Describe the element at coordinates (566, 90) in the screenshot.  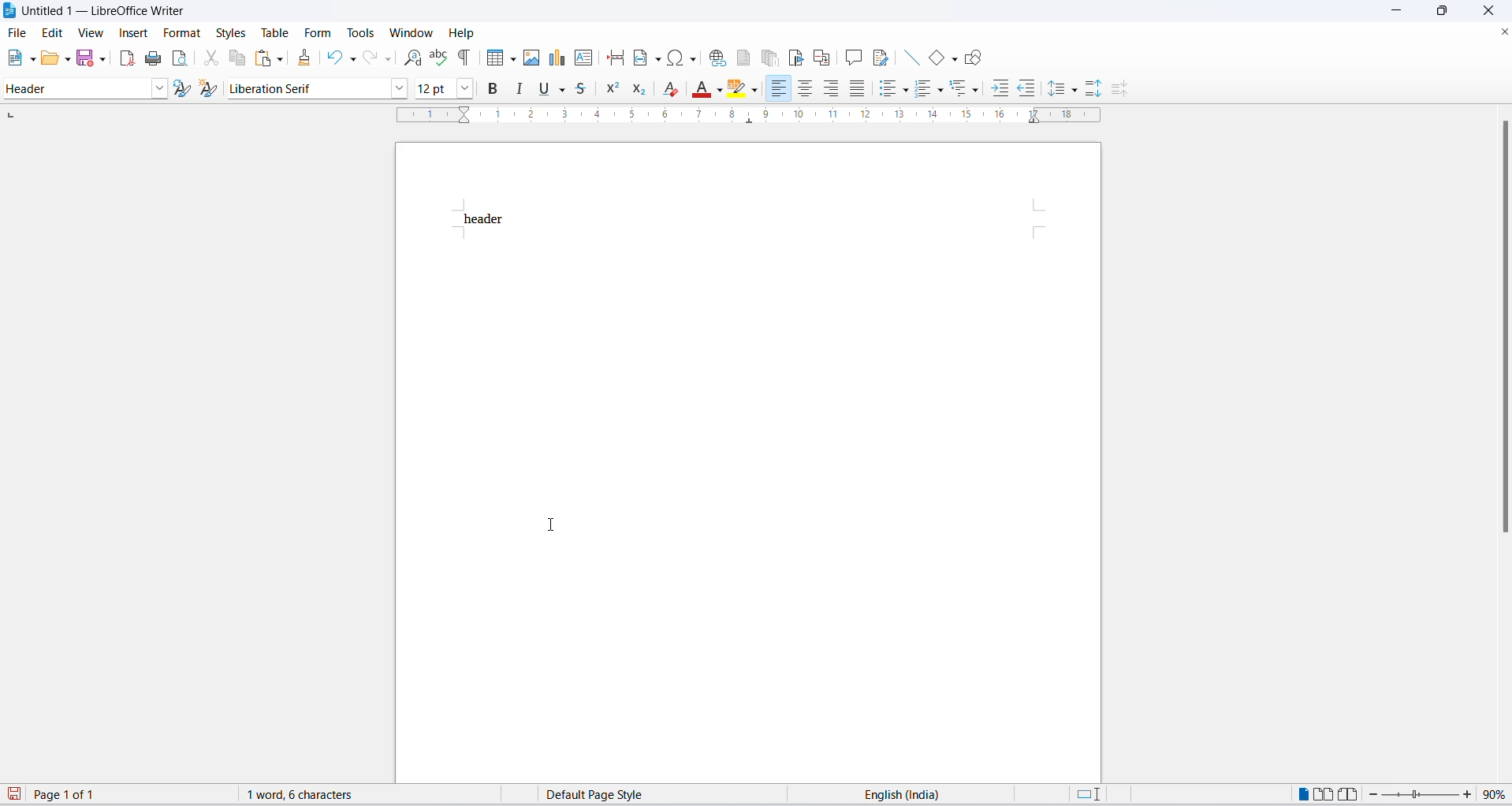
I see `underline options` at that location.